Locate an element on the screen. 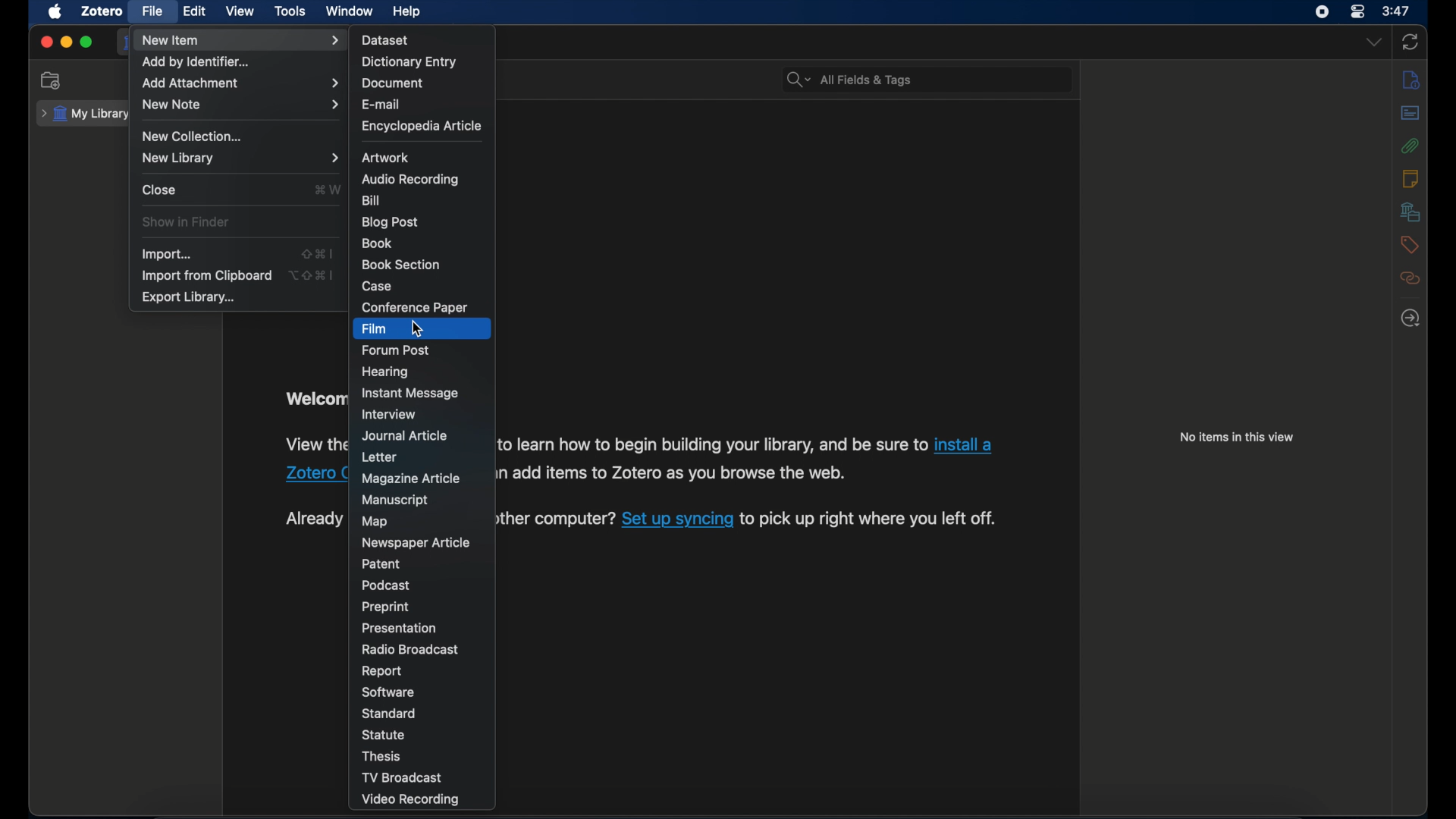 The width and height of the screenshot is (1456, 819). software is located at coordinates (388, 692).